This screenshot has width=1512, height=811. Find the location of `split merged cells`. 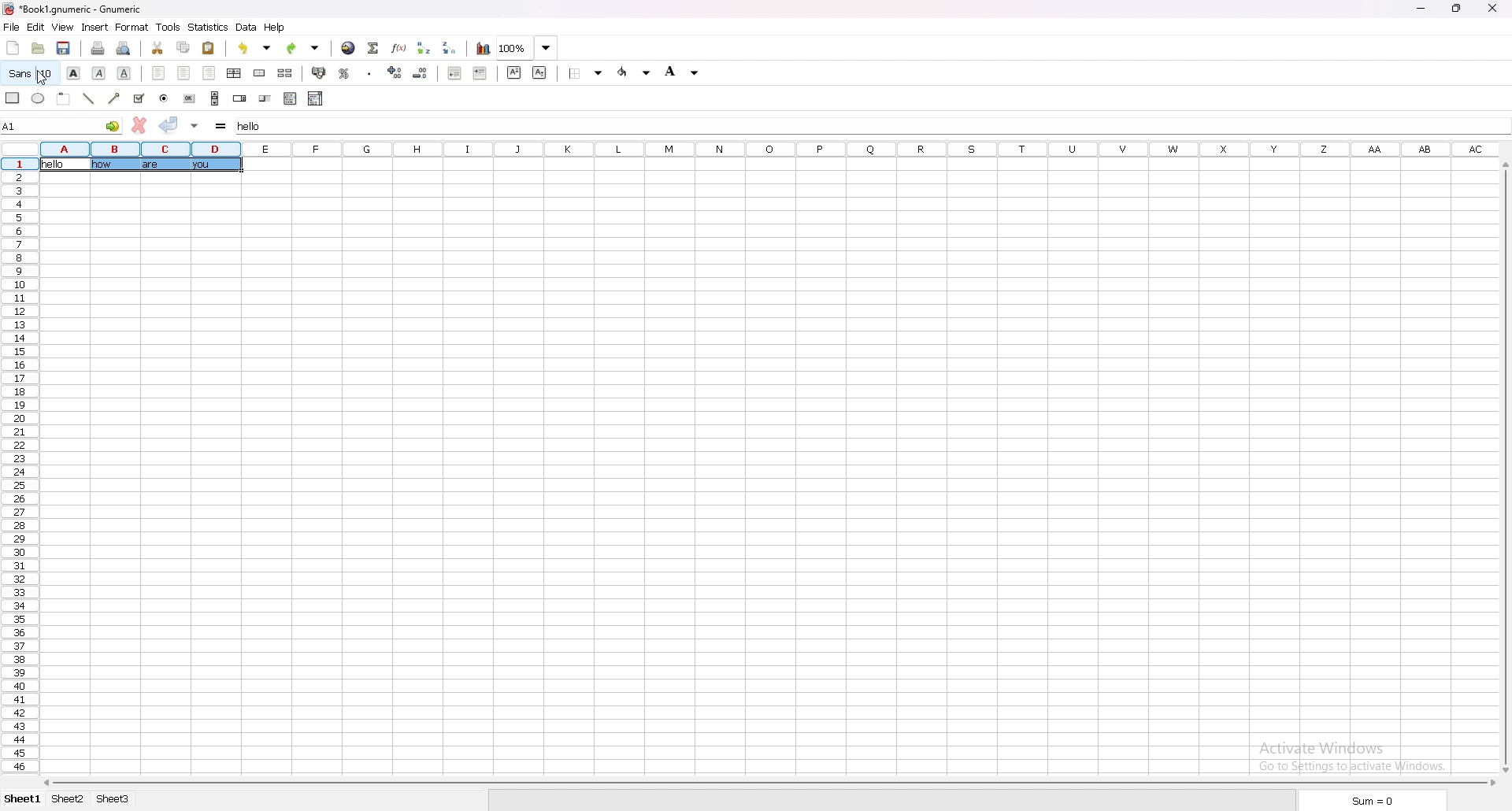

split merged cells is located at coordinates (285, 73).